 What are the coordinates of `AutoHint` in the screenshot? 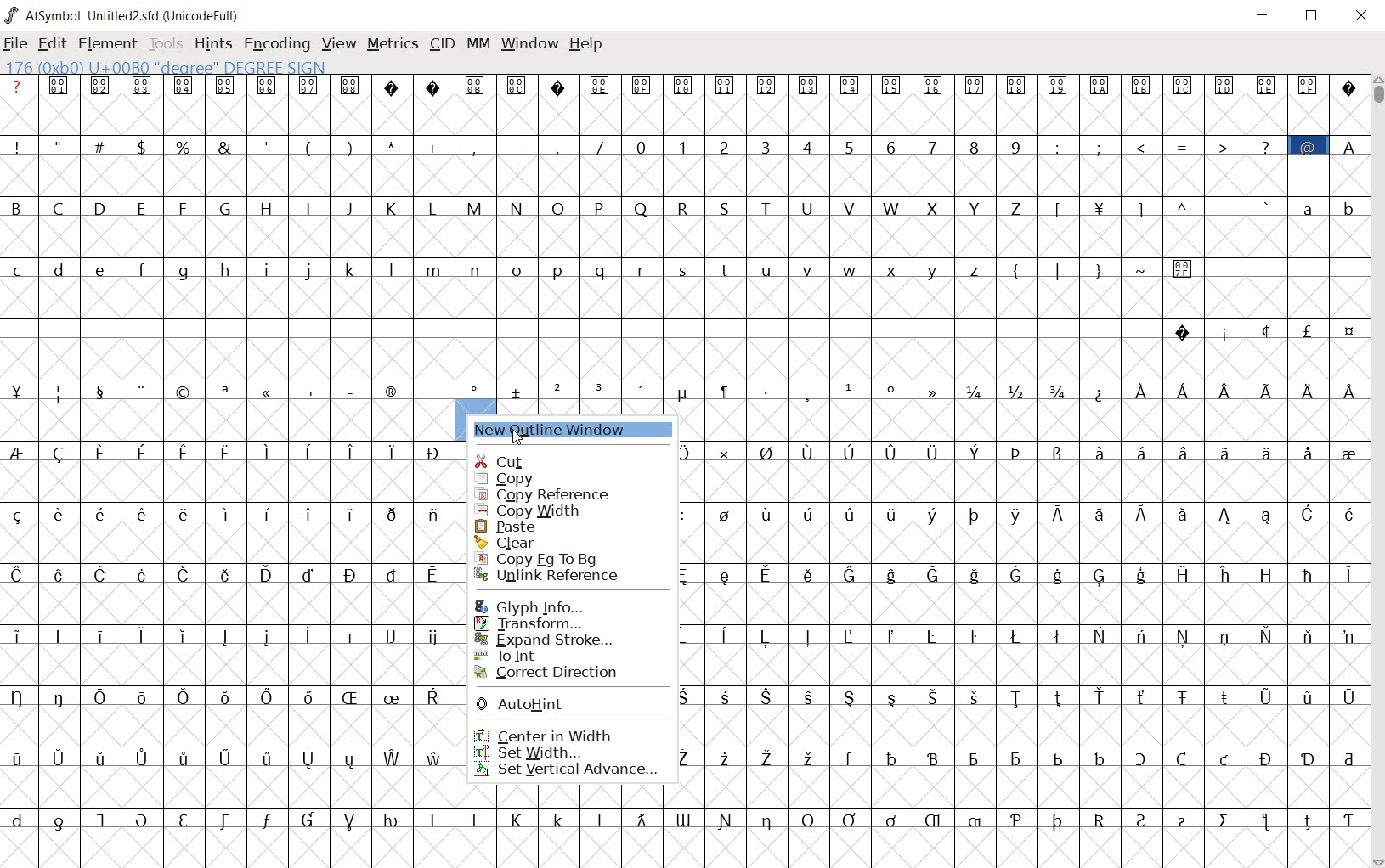 It's located at (569, 707).